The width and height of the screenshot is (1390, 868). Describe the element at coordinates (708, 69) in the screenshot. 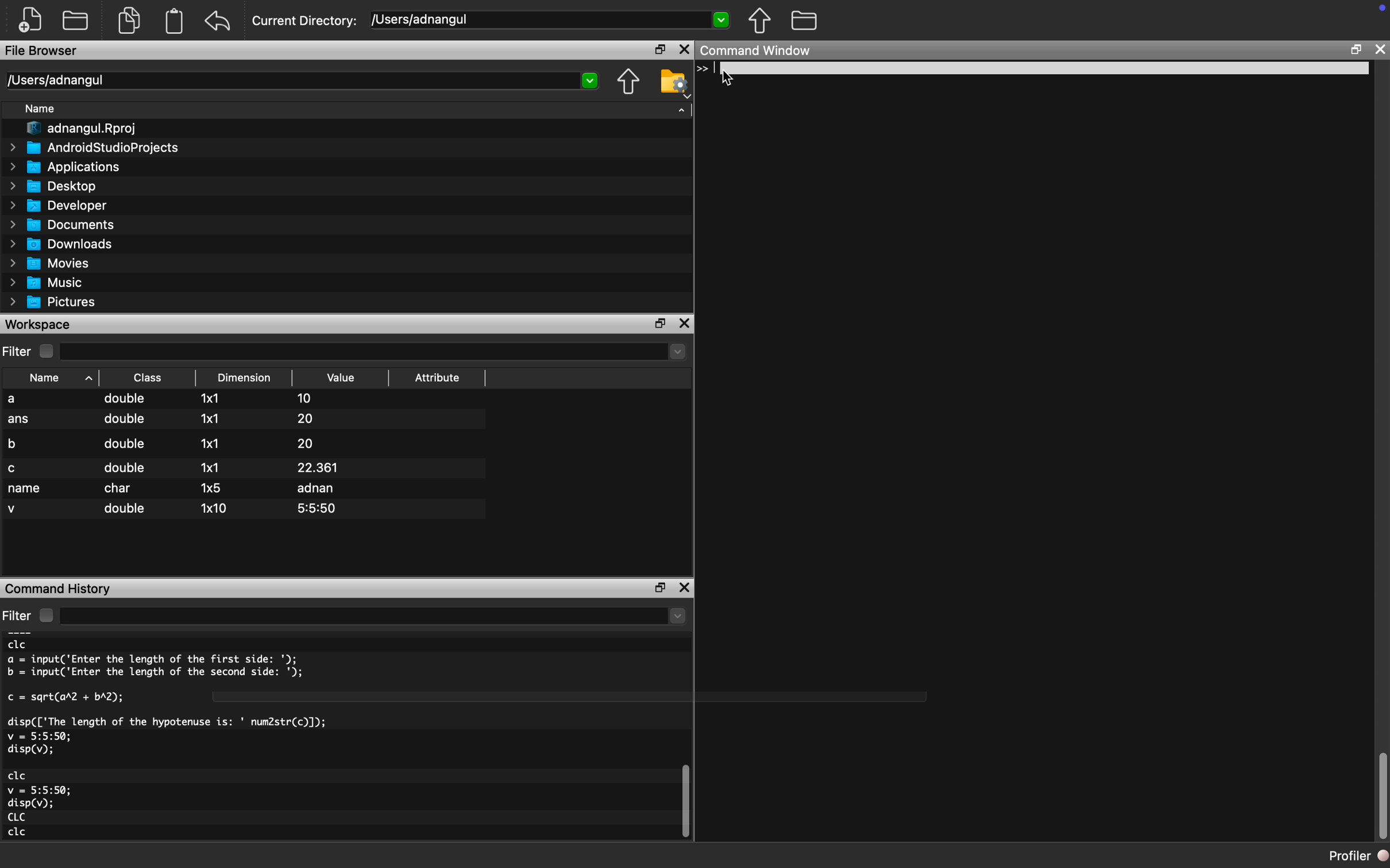

I see `Prompt cursor` at that location.